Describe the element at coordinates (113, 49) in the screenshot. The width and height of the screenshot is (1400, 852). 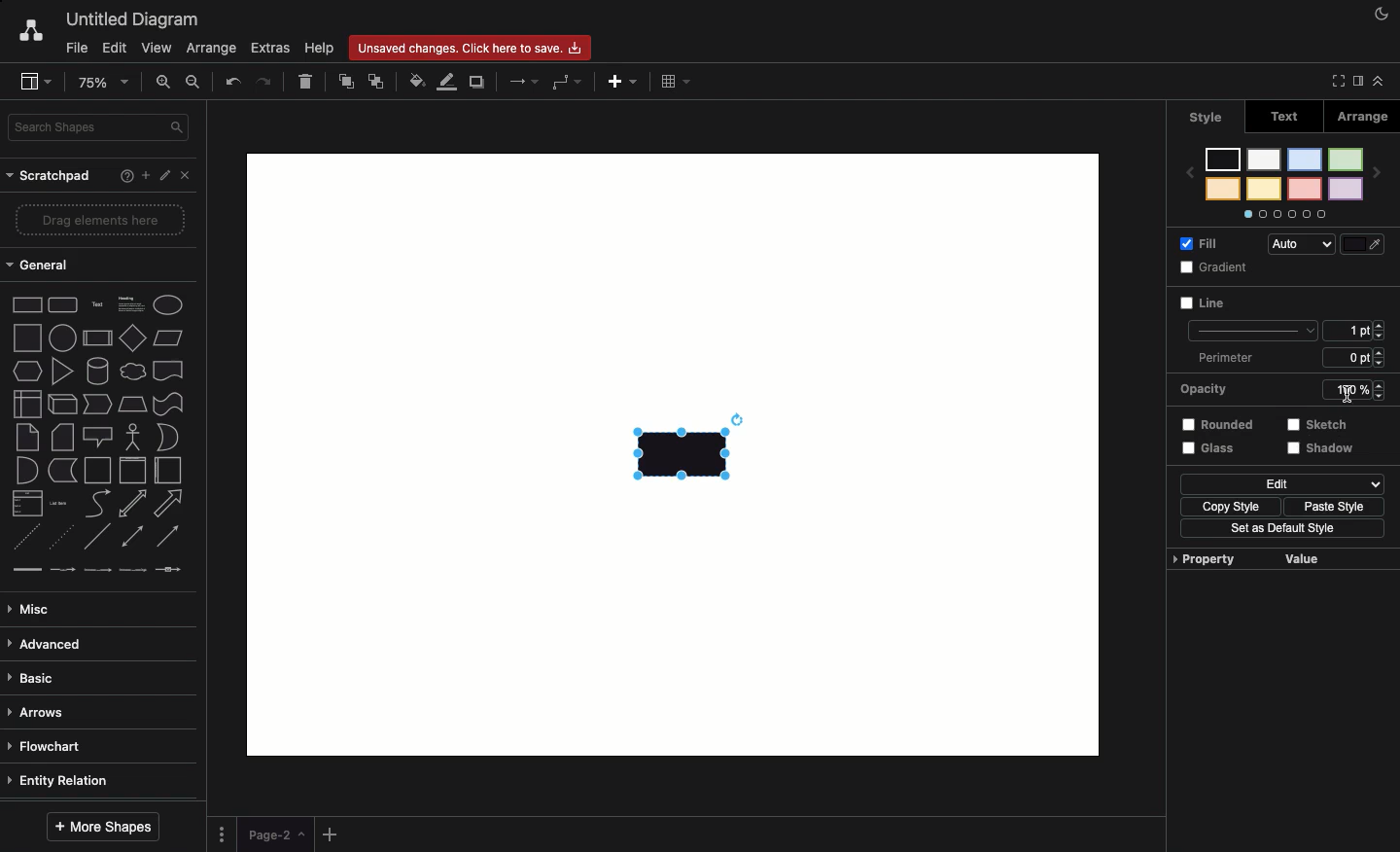
I see `Edit` at that location.